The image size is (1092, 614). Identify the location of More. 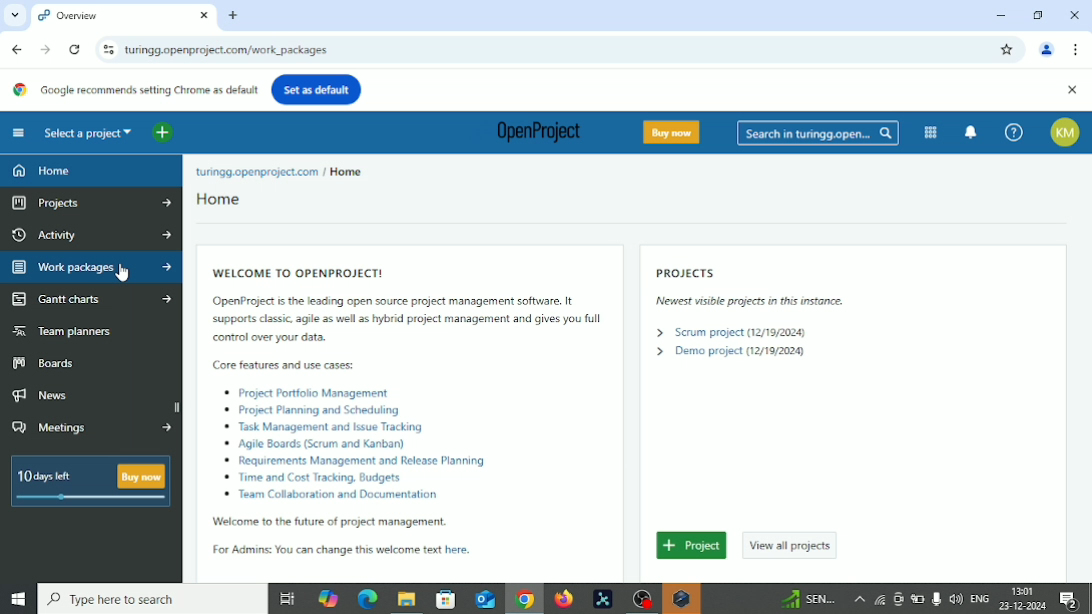
(858, 599).